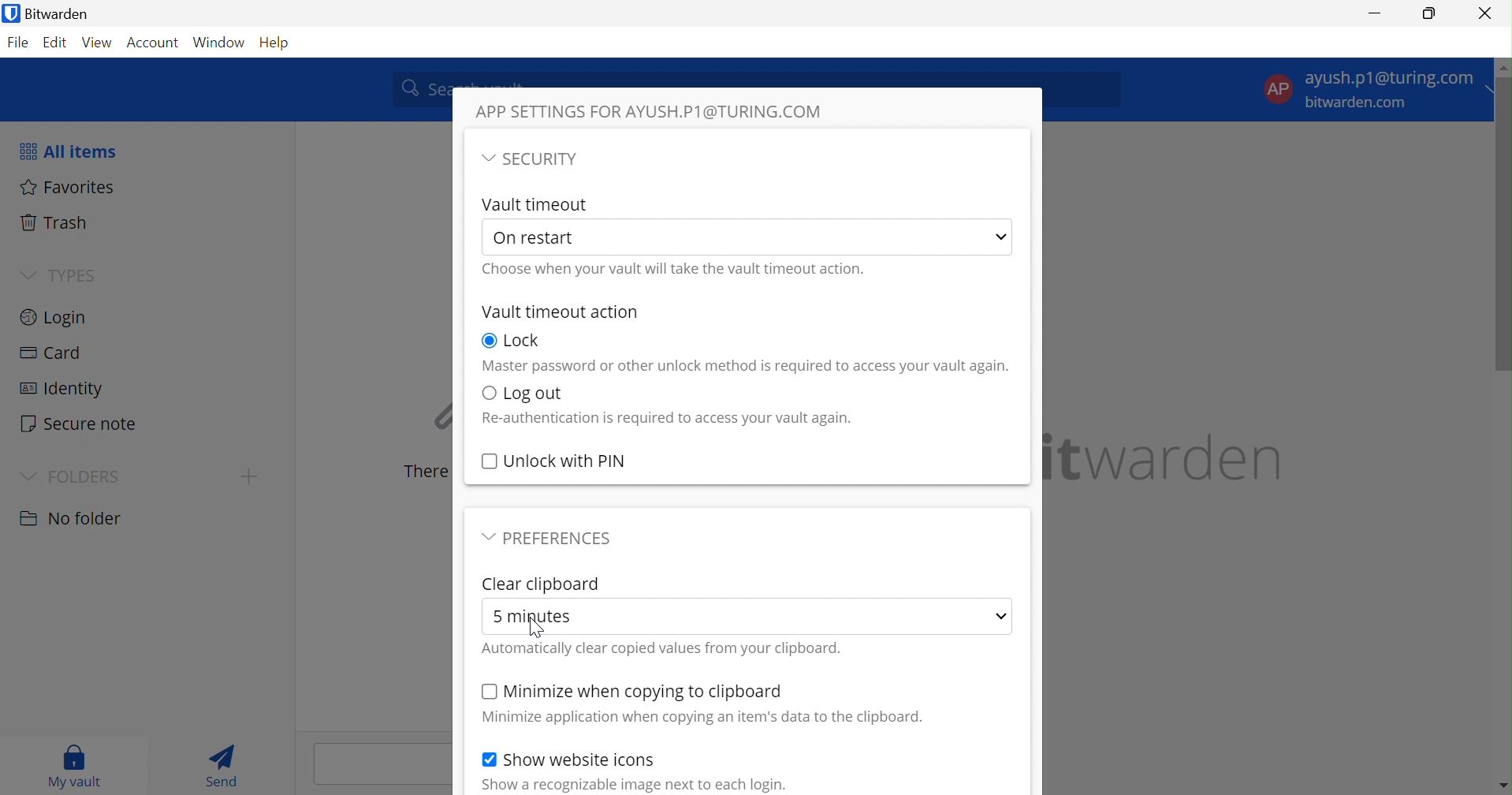 The height and width of the screenshot is (795, 1512). Describe the element at coordinates (70, 151) in the screenshot. I see `All items` at that location.